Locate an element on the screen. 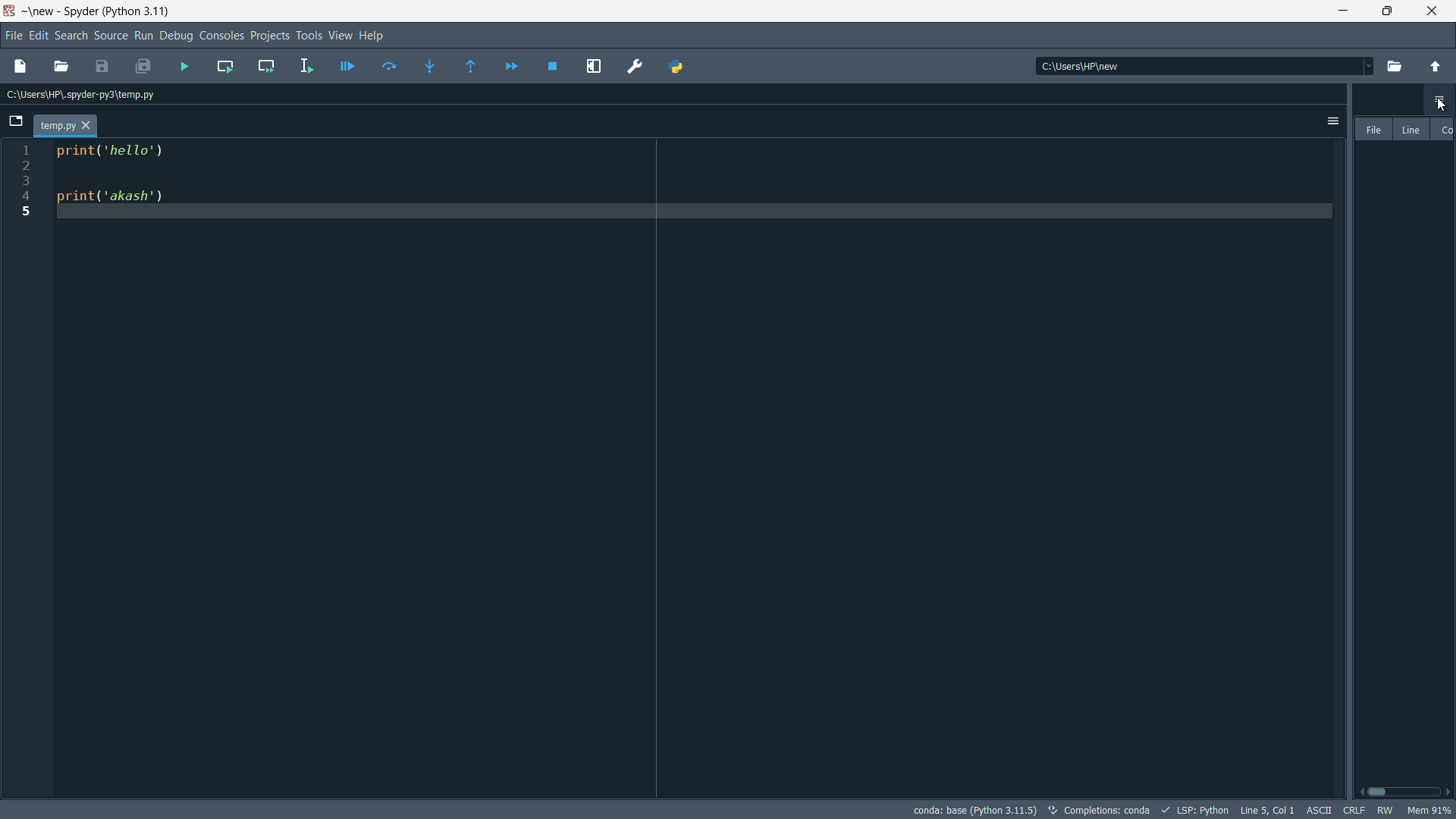 This screenshot has height=819, width=1456. maximize current pain is located at coordinates (591, 65).